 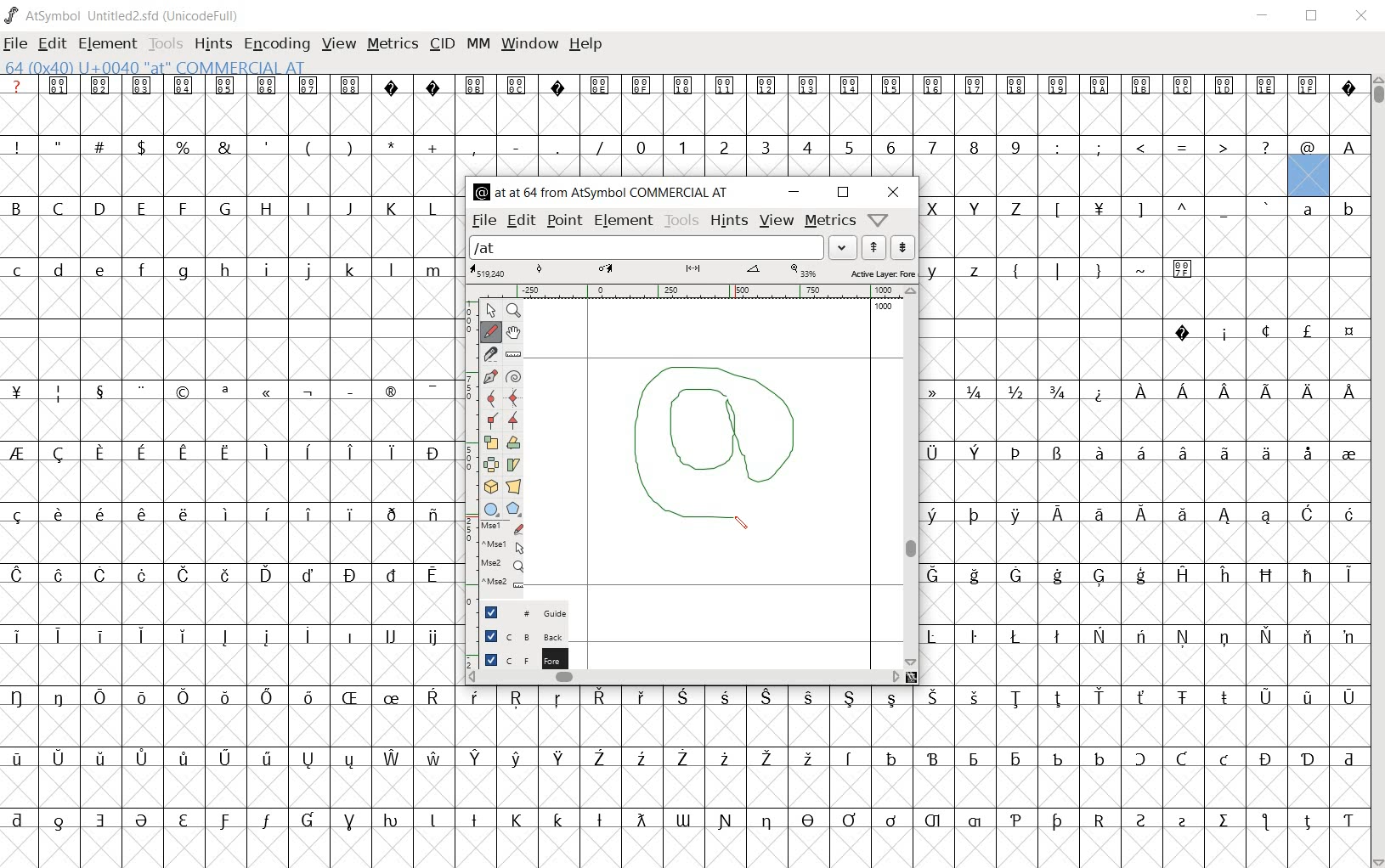 I want to click on point, so click(x=565, y=222).